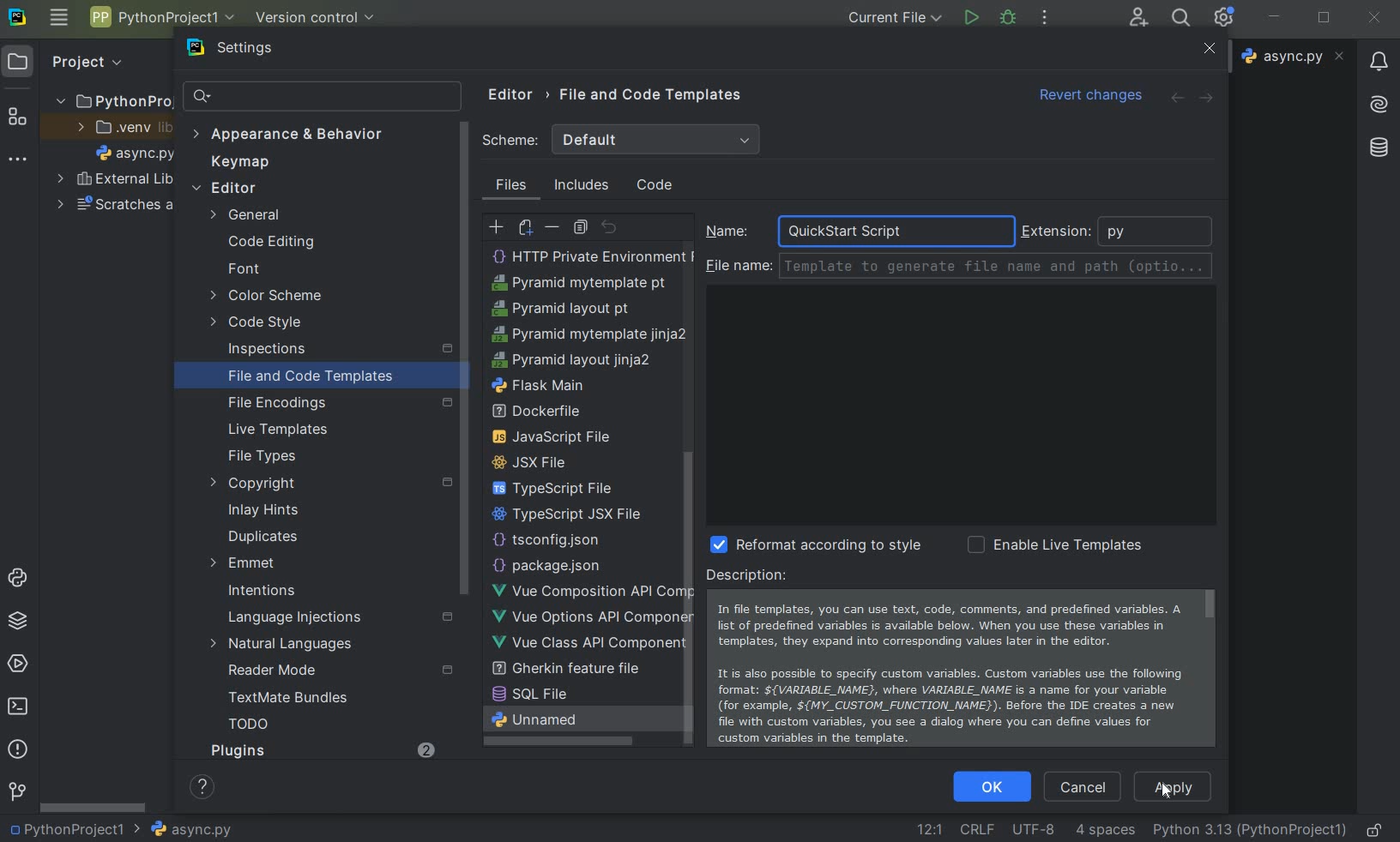 This screenshot has width=1400, height=842. Describe the element at coordinates (259, 564) in the screenshot. I see `emmet` at that location.